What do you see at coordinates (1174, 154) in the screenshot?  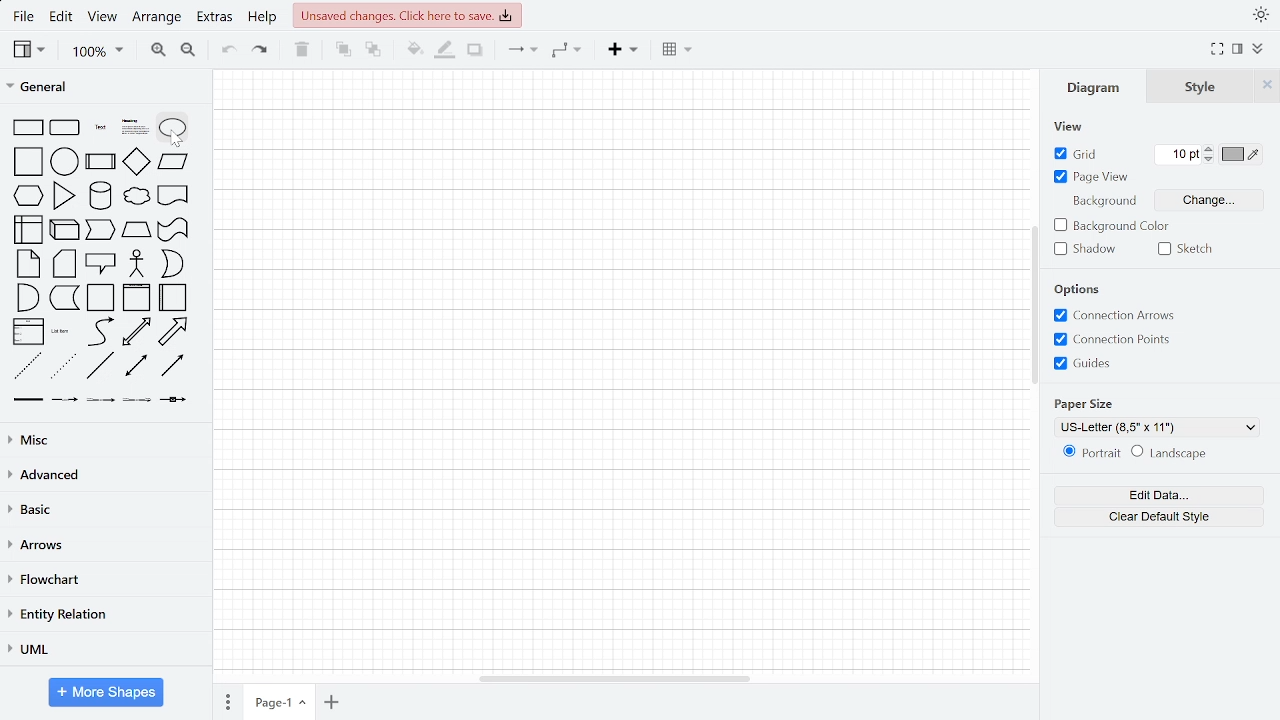 I see `Current grid pt` at bounding box center [1174, 154].